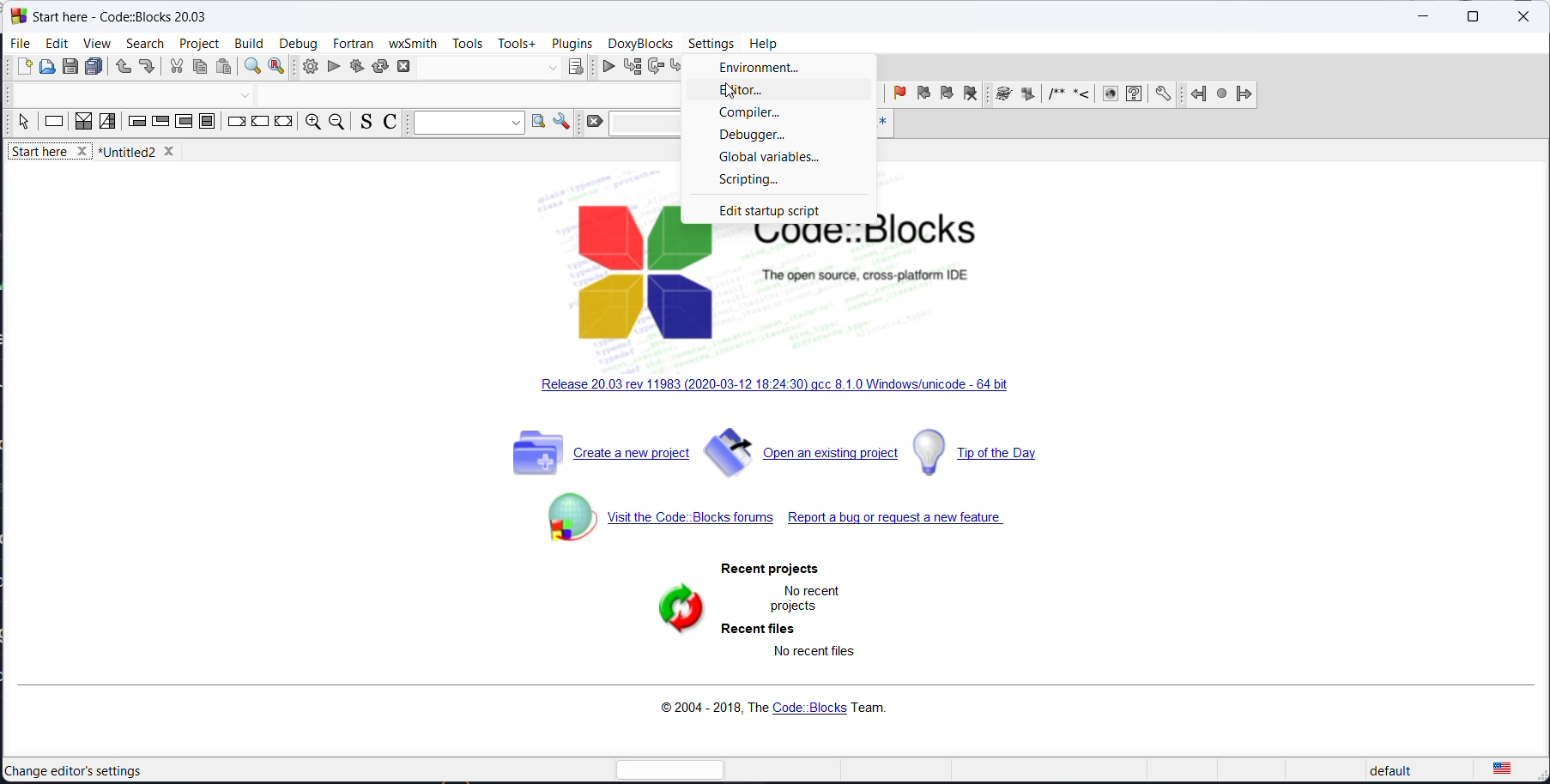 The height and width of the screenshot is (784, 1550). What do you see at coordinates (380, 65) in the screenshot?
I see `rebuild` at bounding box center [380, 65].